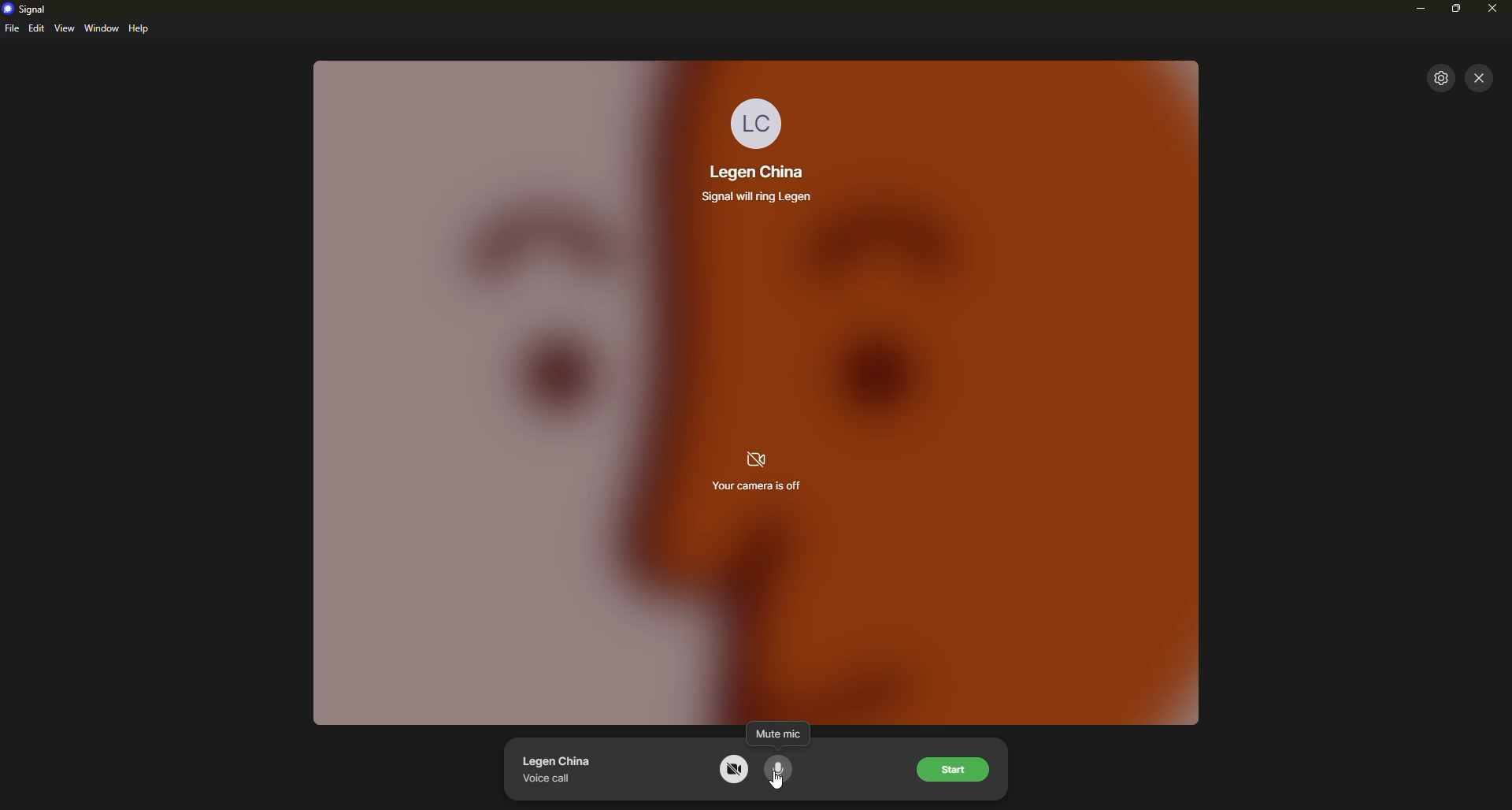 The width and height of the screenshot is (1512, 810). Describe the element at coordinates (1457, 11) in the screenshot. I see `maximize` at that location.